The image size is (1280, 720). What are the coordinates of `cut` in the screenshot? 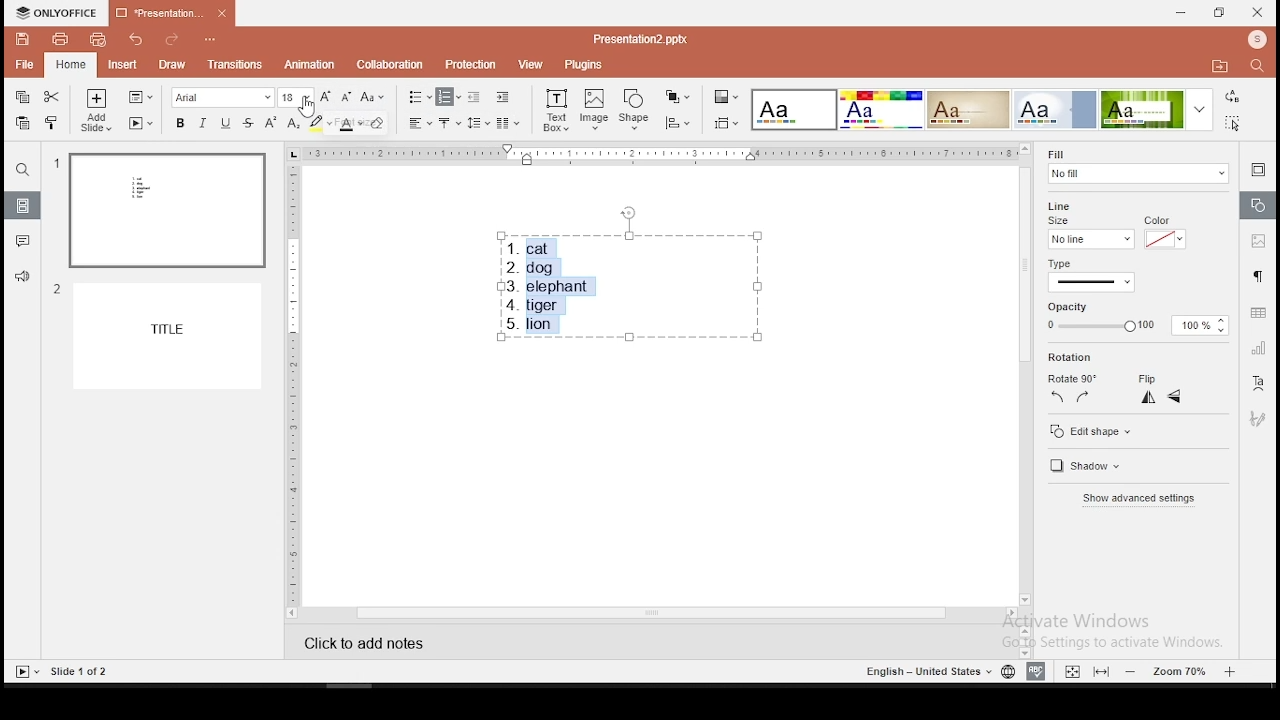 It's located at (50, 98).